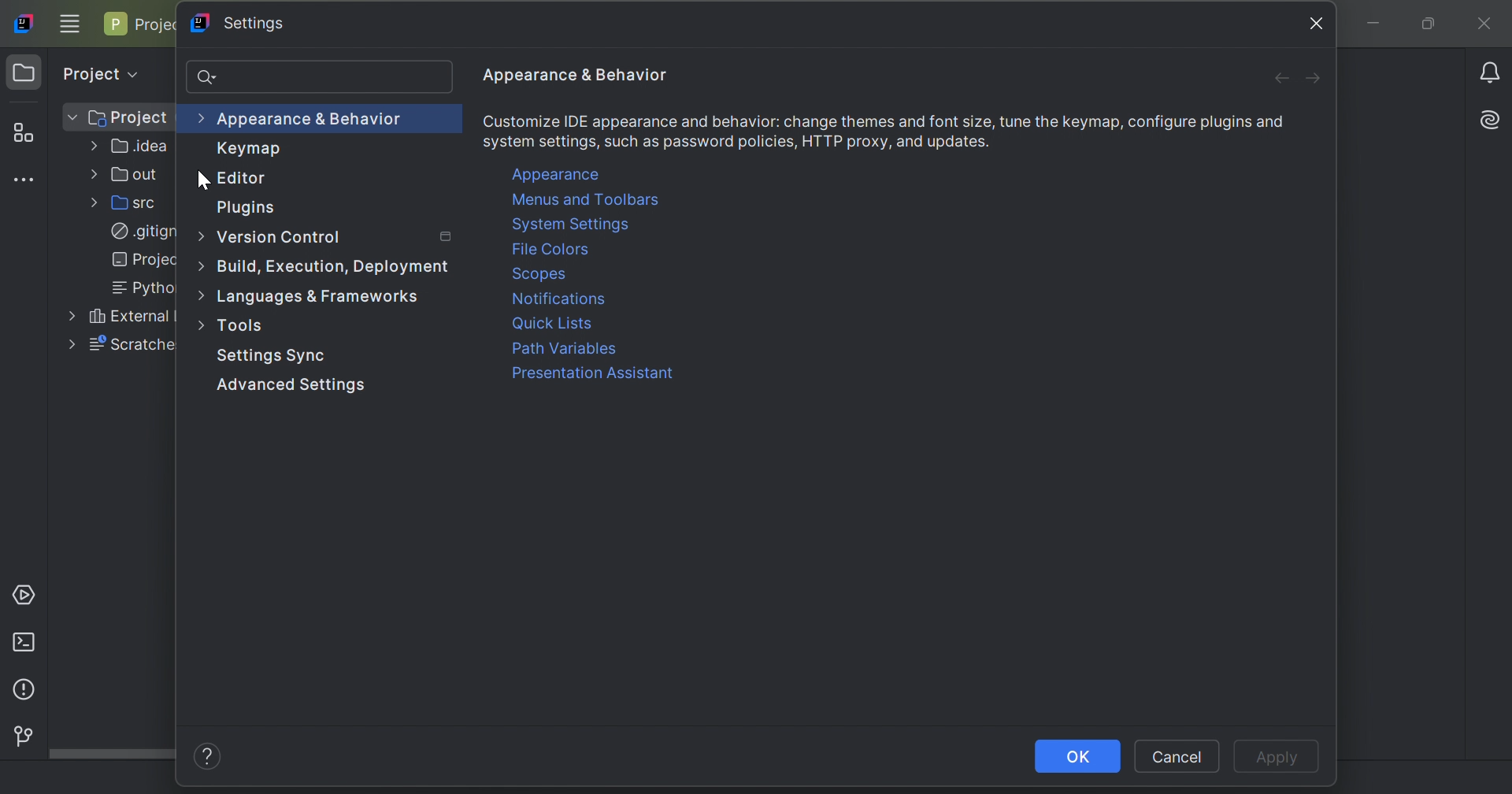  Describe the element at coordinates (112, 755) in the screenshot. I see `Scroll bar` at that location.